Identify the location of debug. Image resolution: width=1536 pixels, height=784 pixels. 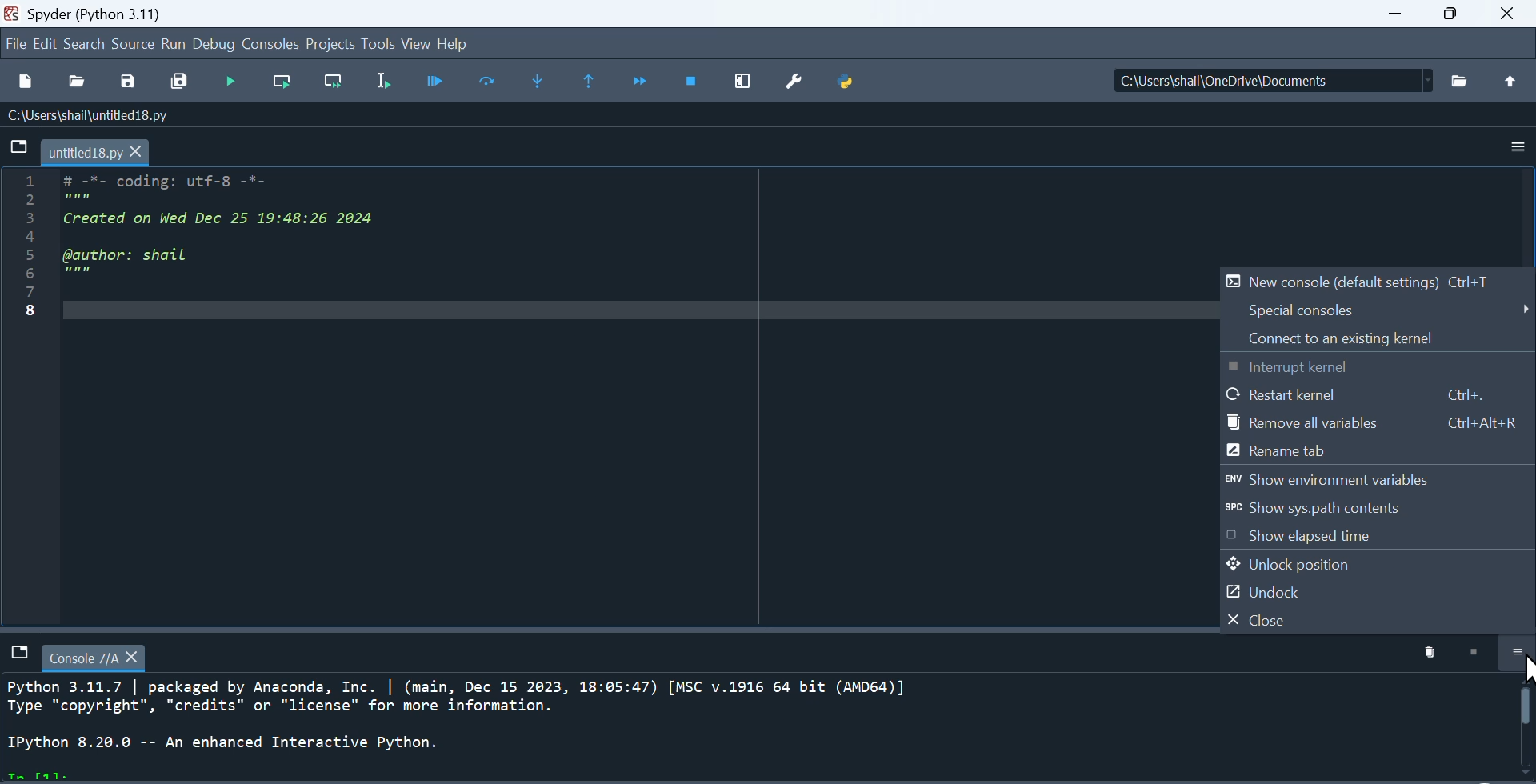
(211, 45).